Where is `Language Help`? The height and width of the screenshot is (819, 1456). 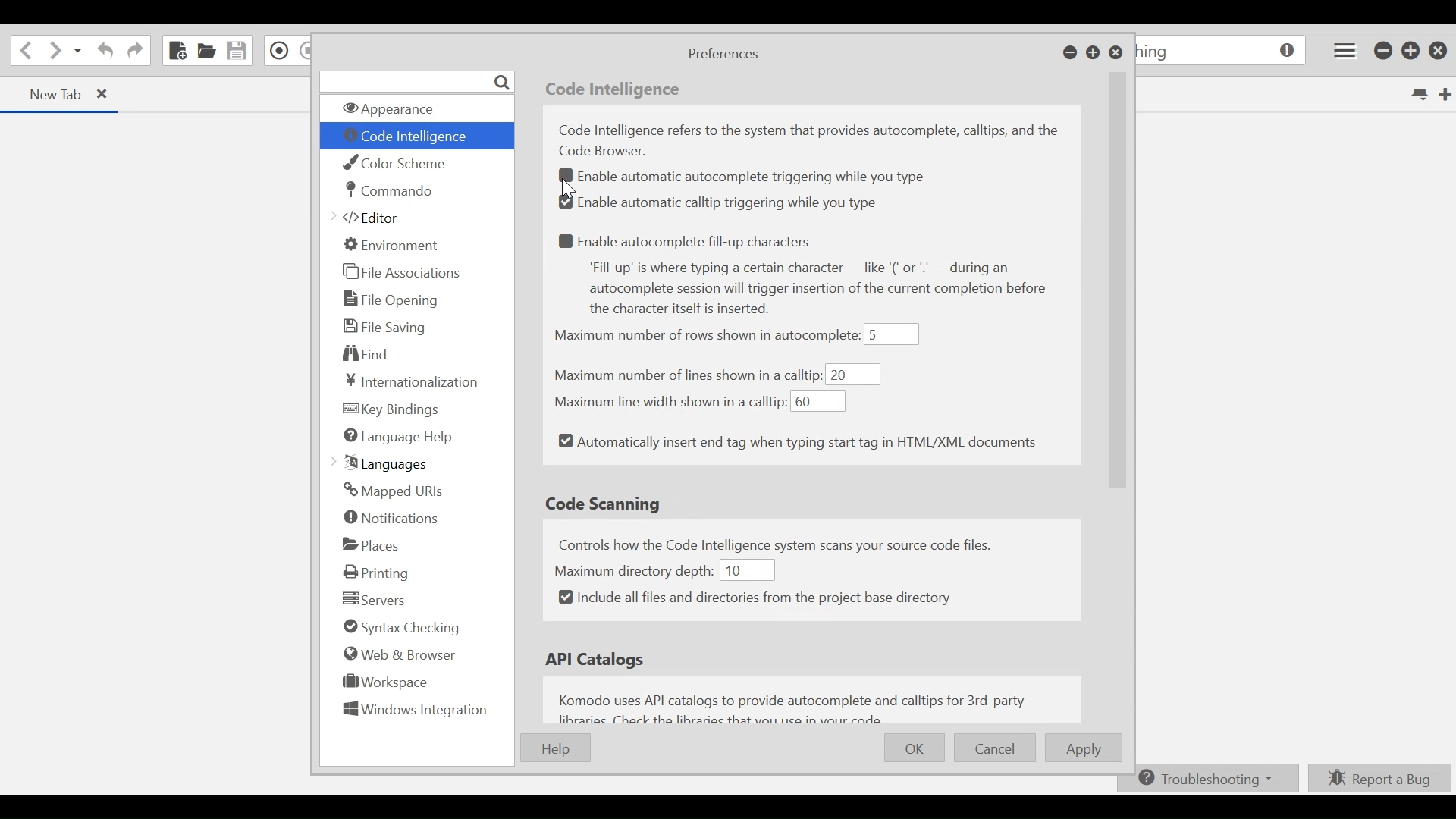
Language Help is located at coordinates (398, 438).